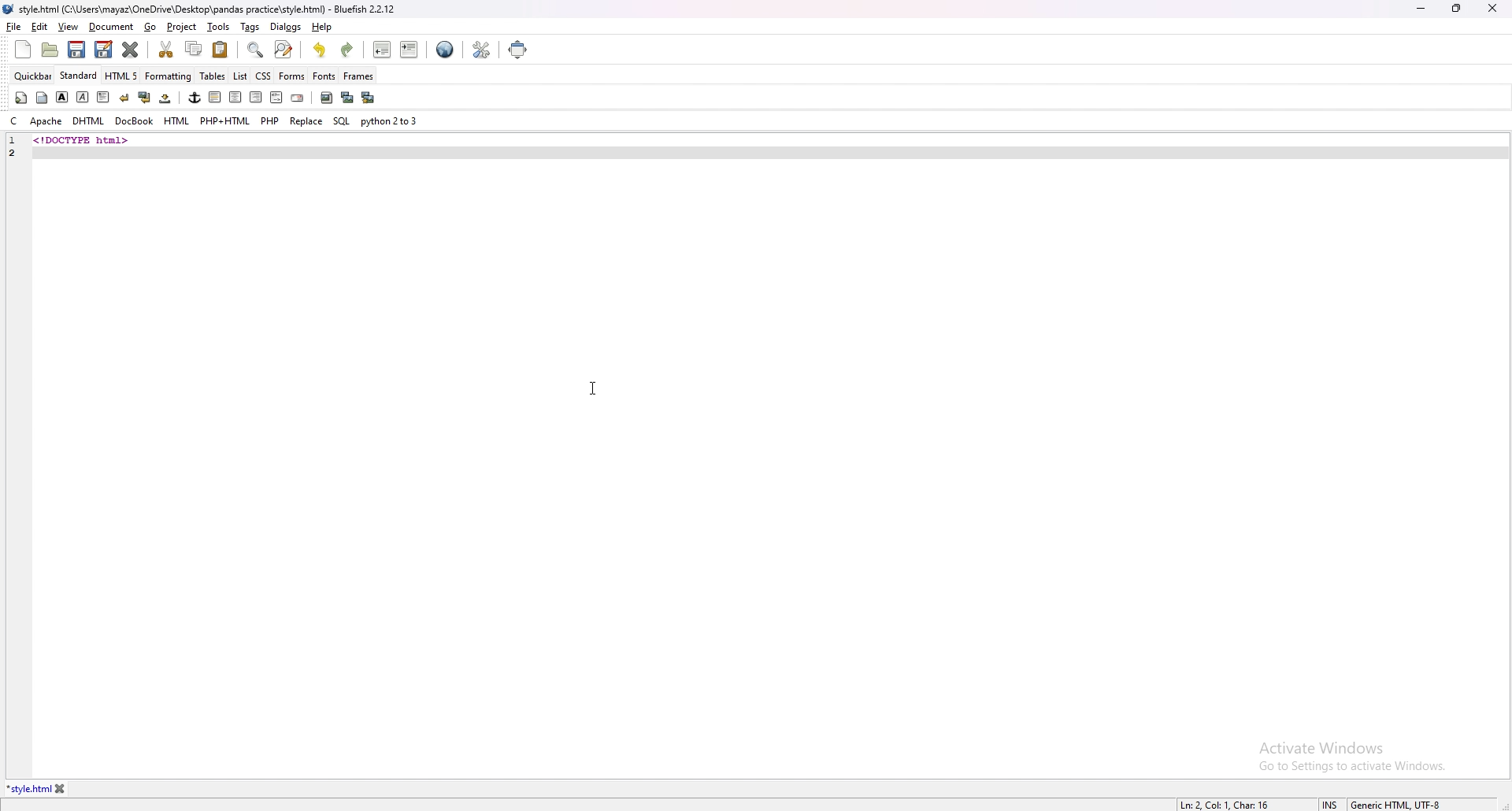  What do you see at coordinates (283, 49) in the screenshot?
I see `advanced find and replace` at bounding box center [283, 49].